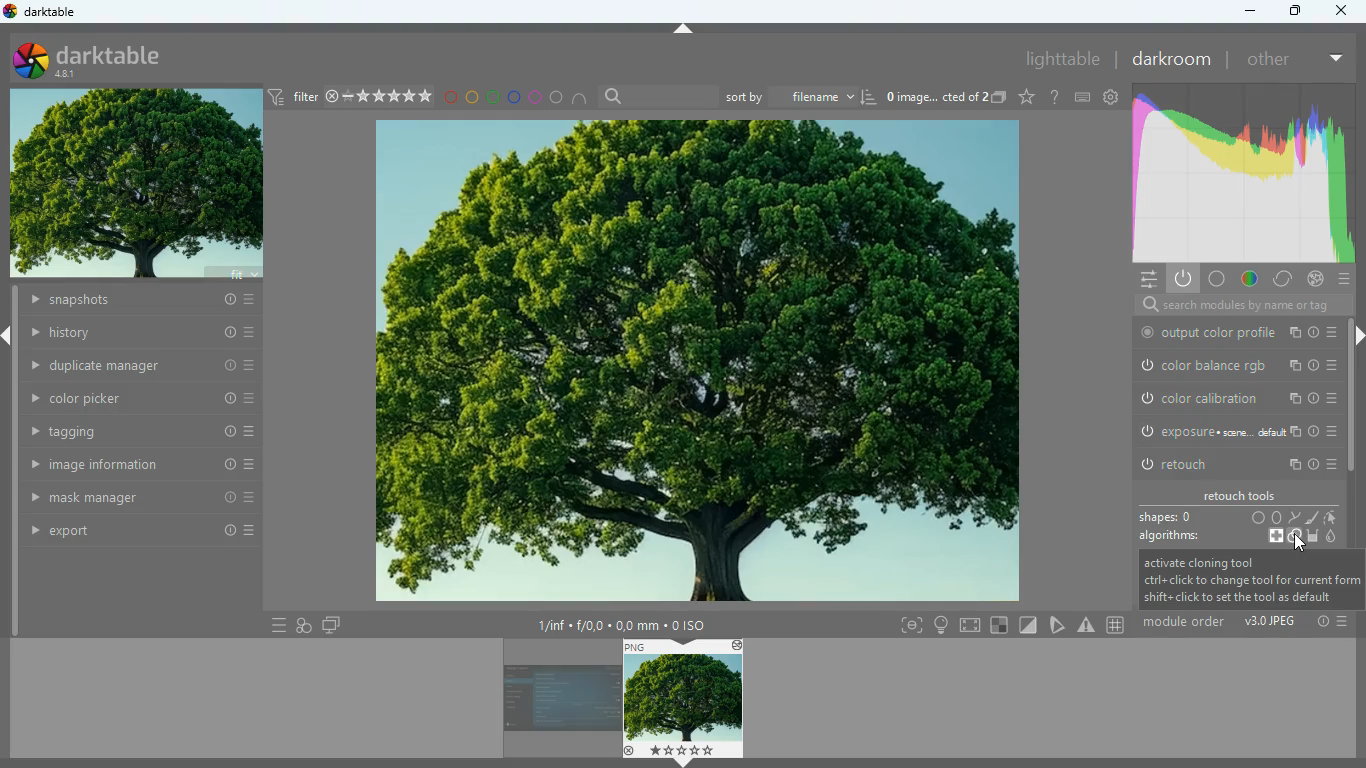 The width and height of the screenshot is (1366, 768). What do you see at coordinates (1293, 537) in the screenshot?
I see `cloning` at bounding box center [1293, 537].